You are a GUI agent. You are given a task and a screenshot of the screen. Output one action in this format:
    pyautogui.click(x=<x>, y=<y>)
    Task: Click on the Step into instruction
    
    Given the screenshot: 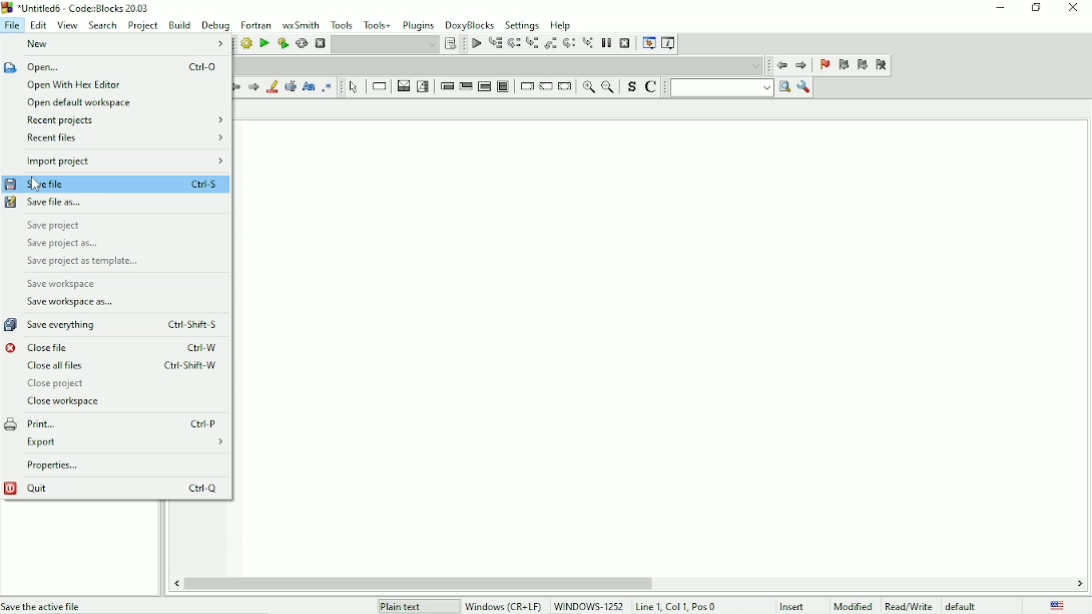 What is the action you would take?
    pyautogui.click(x=588, y=44)
    